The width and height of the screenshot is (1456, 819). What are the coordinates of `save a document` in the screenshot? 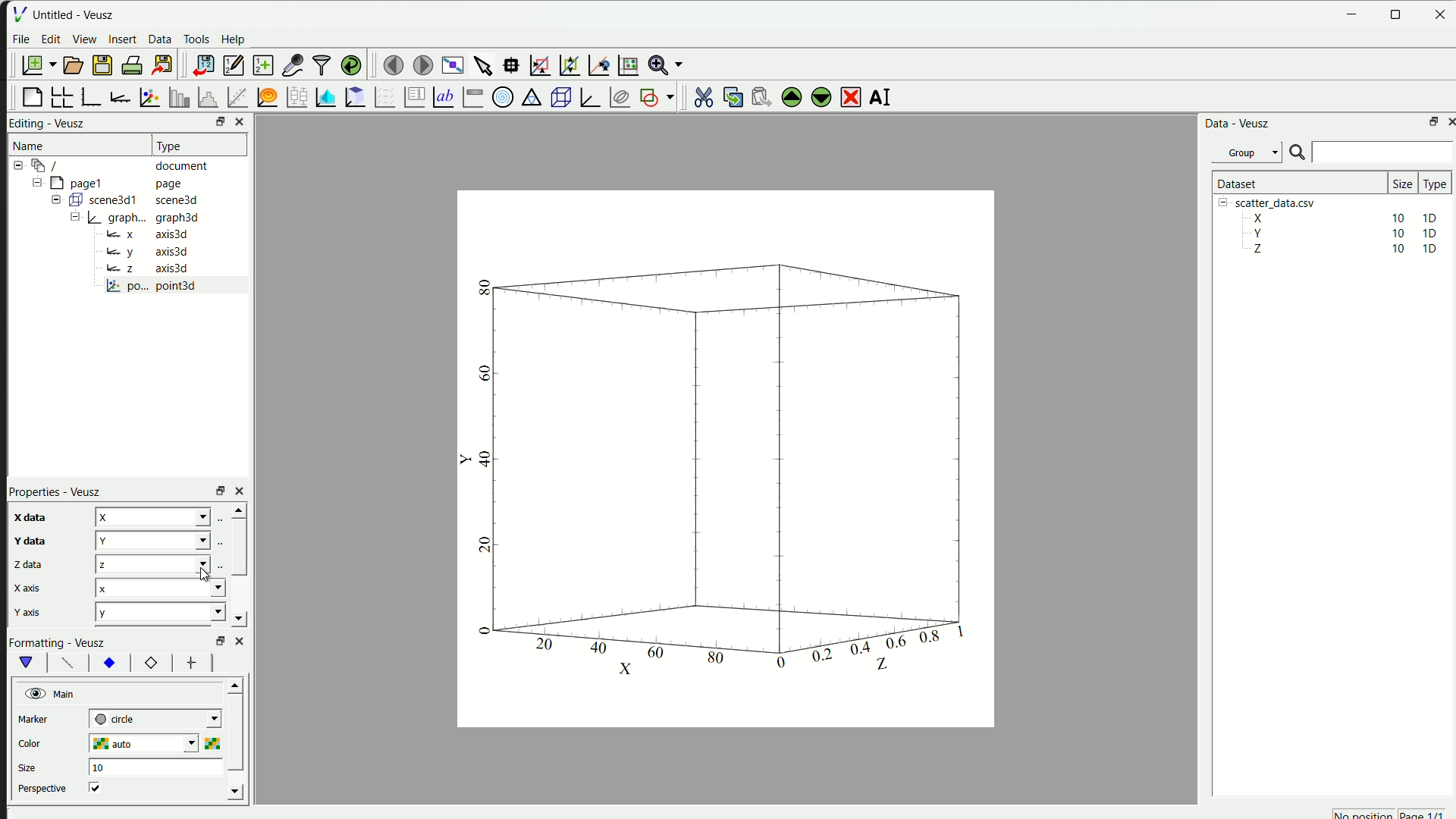 It's located at (100, 66).